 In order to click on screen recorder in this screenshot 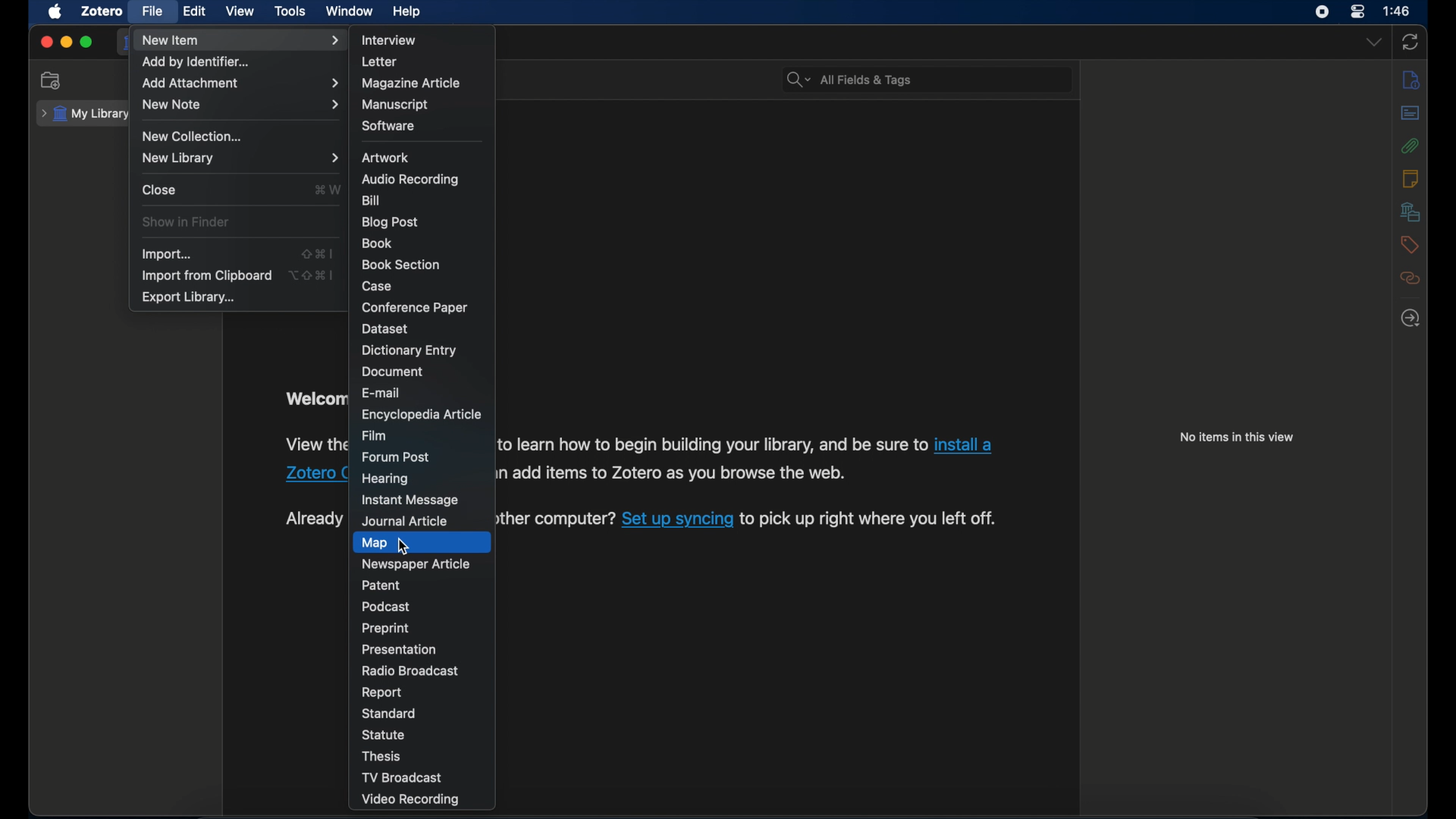, I will do `click(1323, 12)`.